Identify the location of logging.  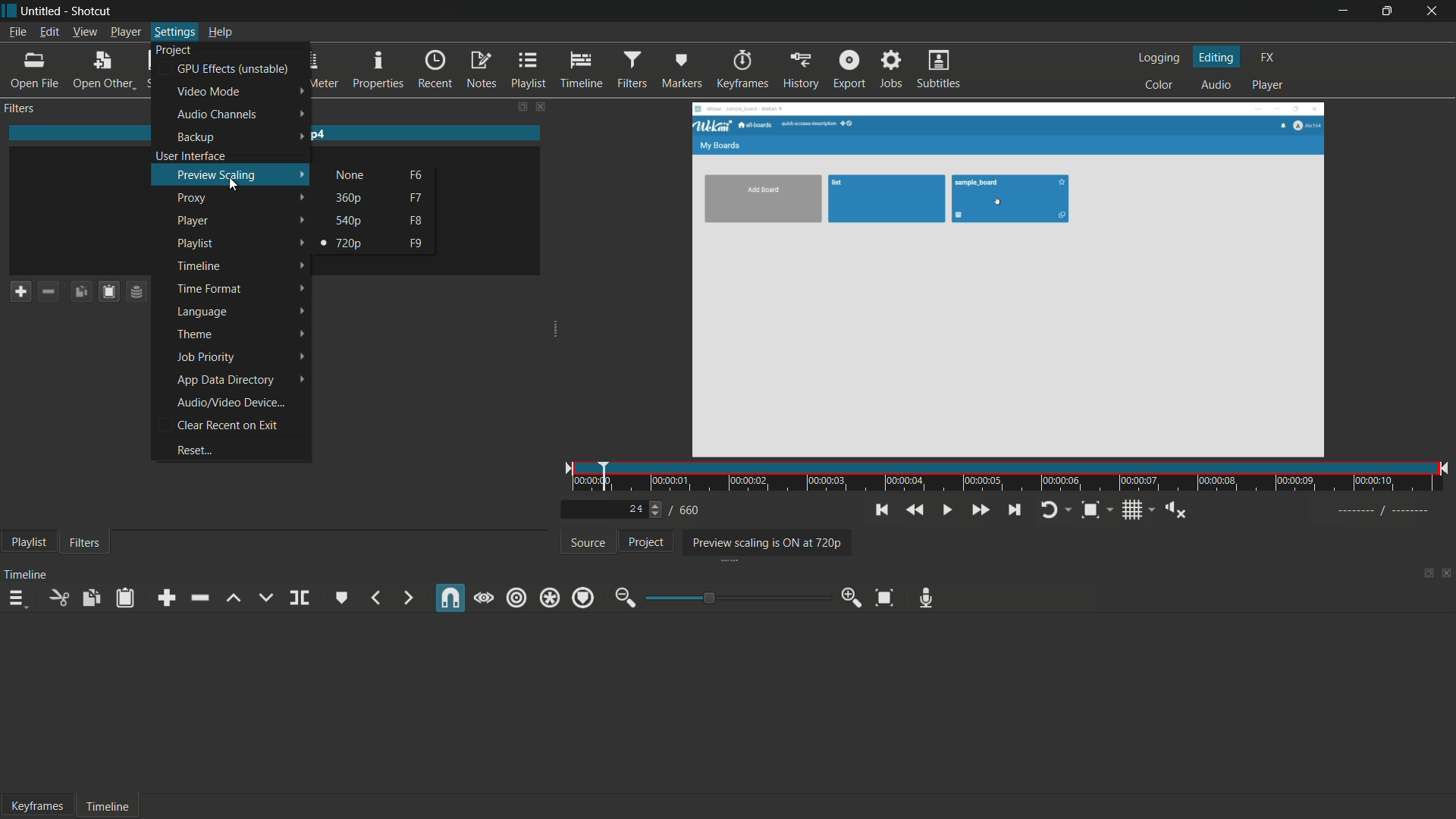
(1158, 57).